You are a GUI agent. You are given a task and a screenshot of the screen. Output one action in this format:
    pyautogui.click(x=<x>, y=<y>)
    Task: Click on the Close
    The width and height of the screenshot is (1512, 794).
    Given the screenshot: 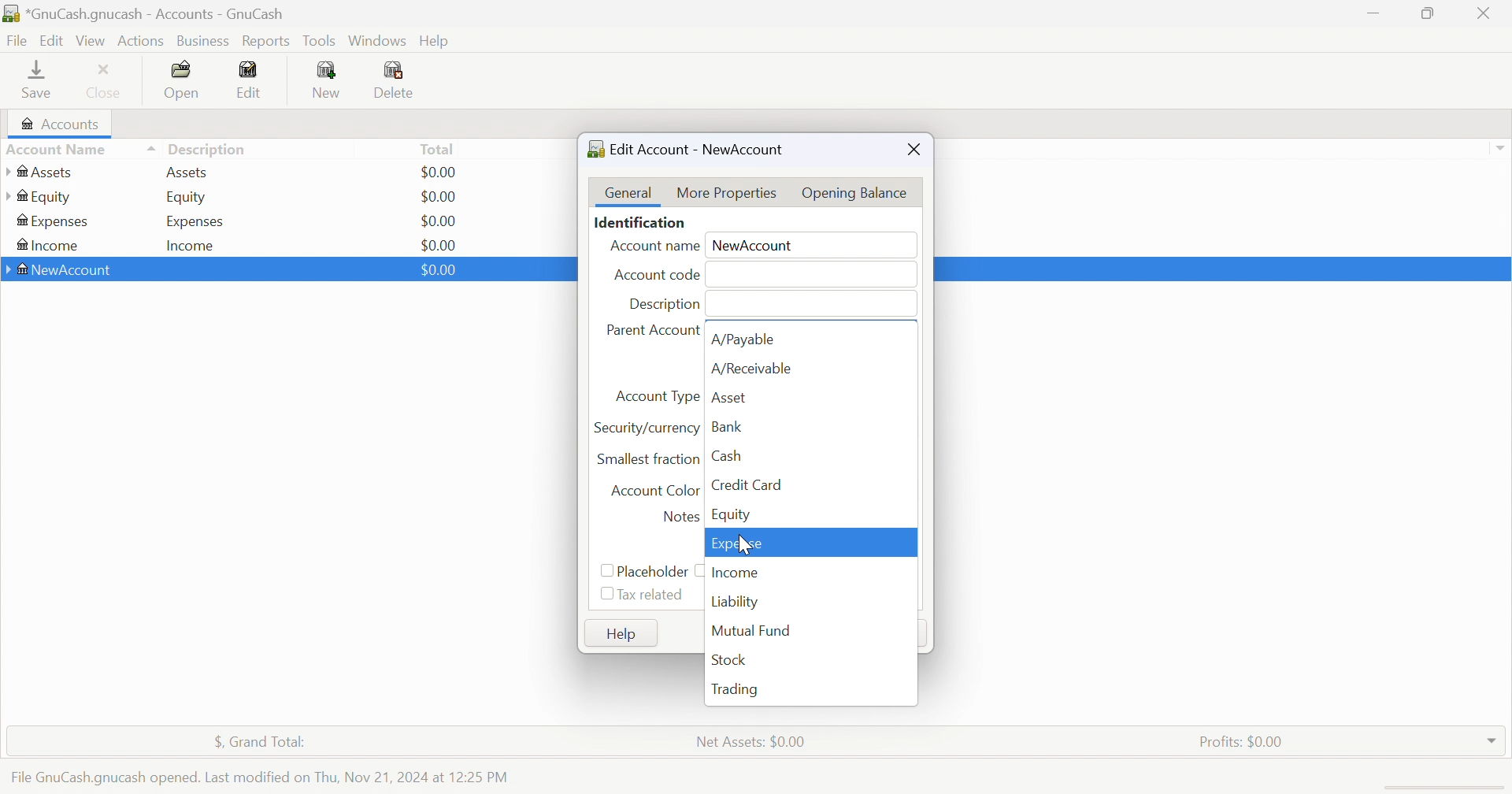 What is the action you would take?
    pyautogui.click(x=914, y=149)
    